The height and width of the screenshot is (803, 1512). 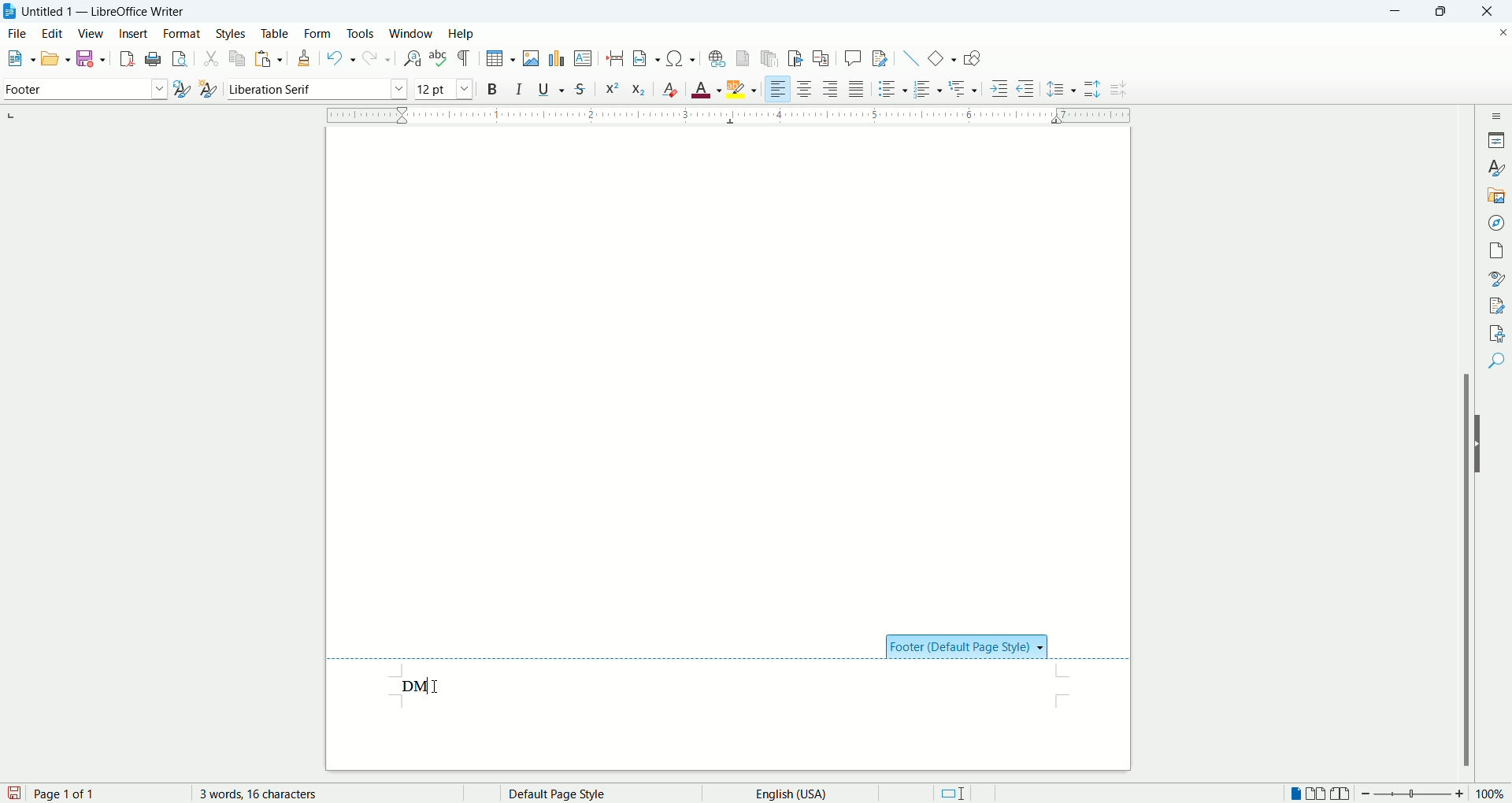 I want to click on clone formatting, so click(x=306, y=59).